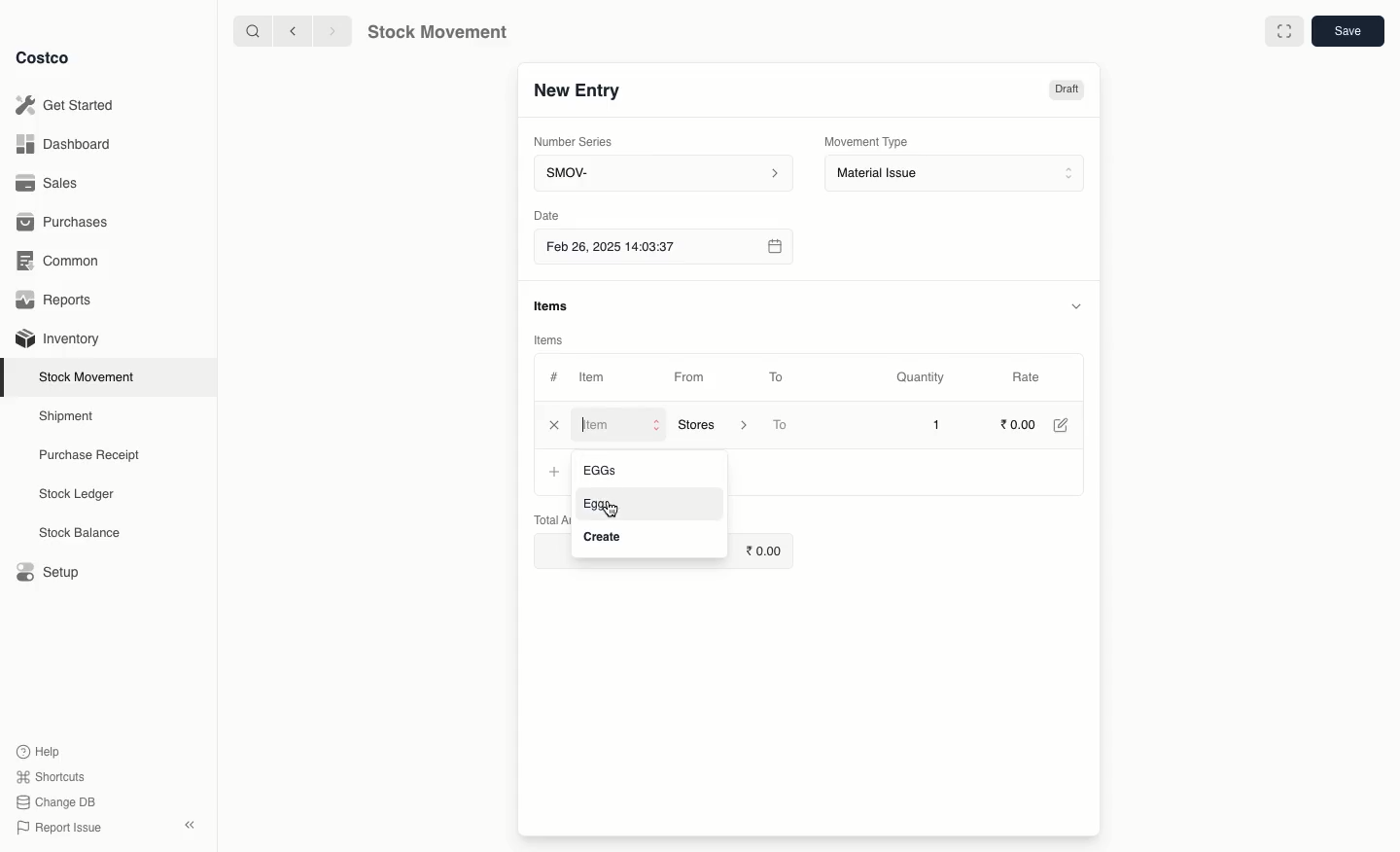 Image resolution: width=1400 pixels, height=852 pixels. Describe the element at coordinates (554, 377) in the screenshot. I see `#` at that location.